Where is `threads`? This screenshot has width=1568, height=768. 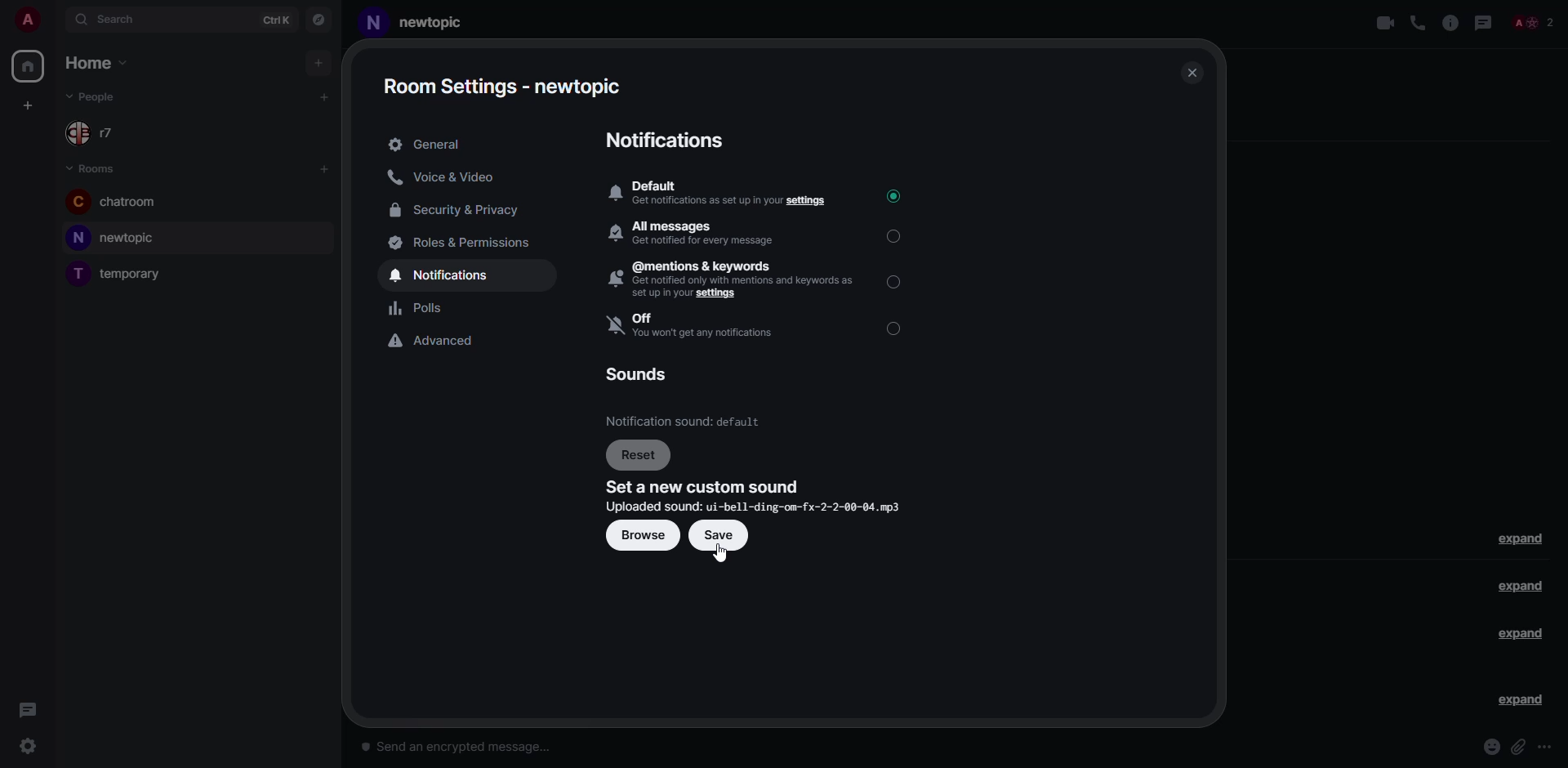
threads is located at coordinates (1483, 22).